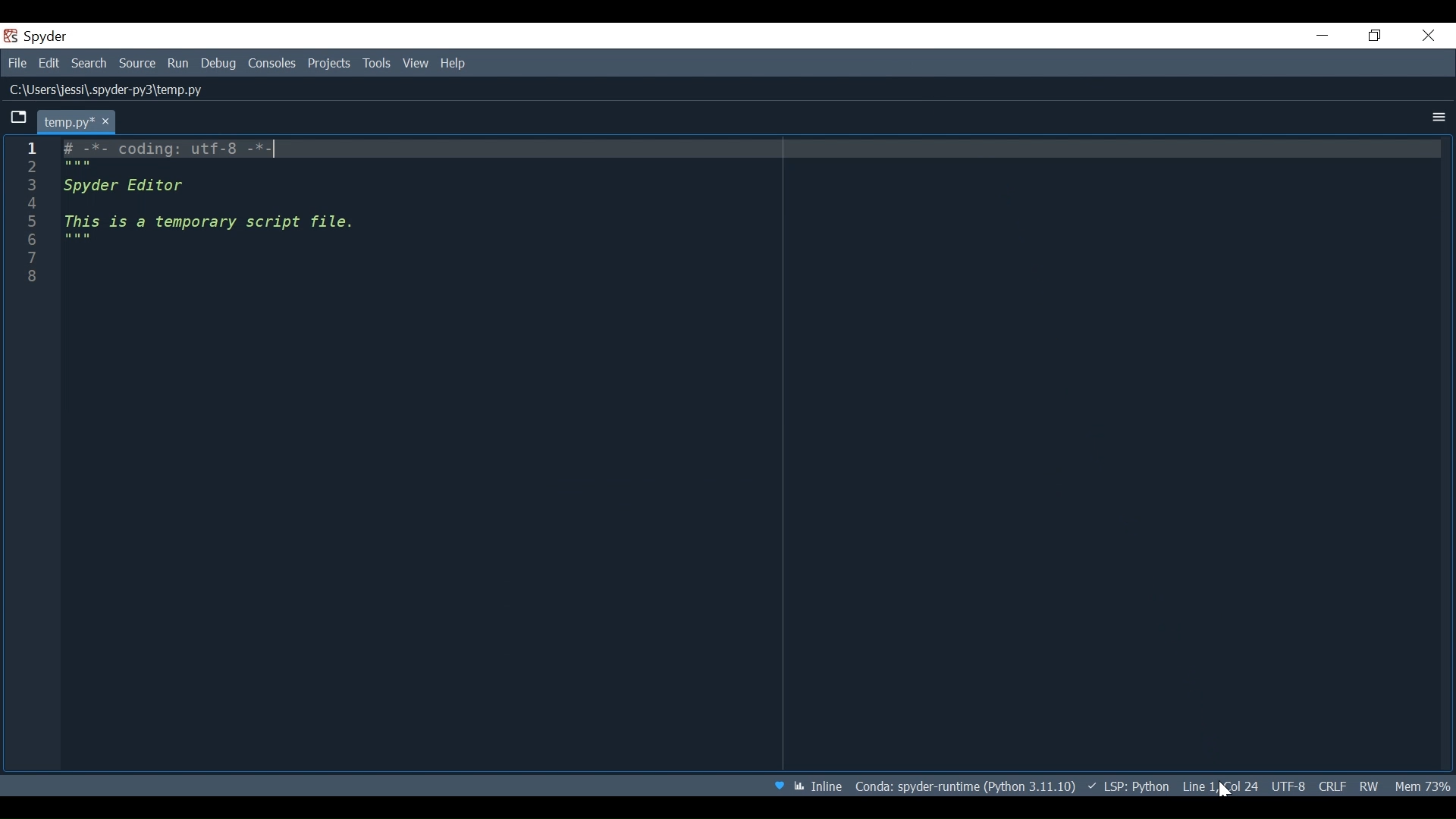  Describe the element at coordinates (77, 122) in the screenshot. I see `Current tab` at that location.